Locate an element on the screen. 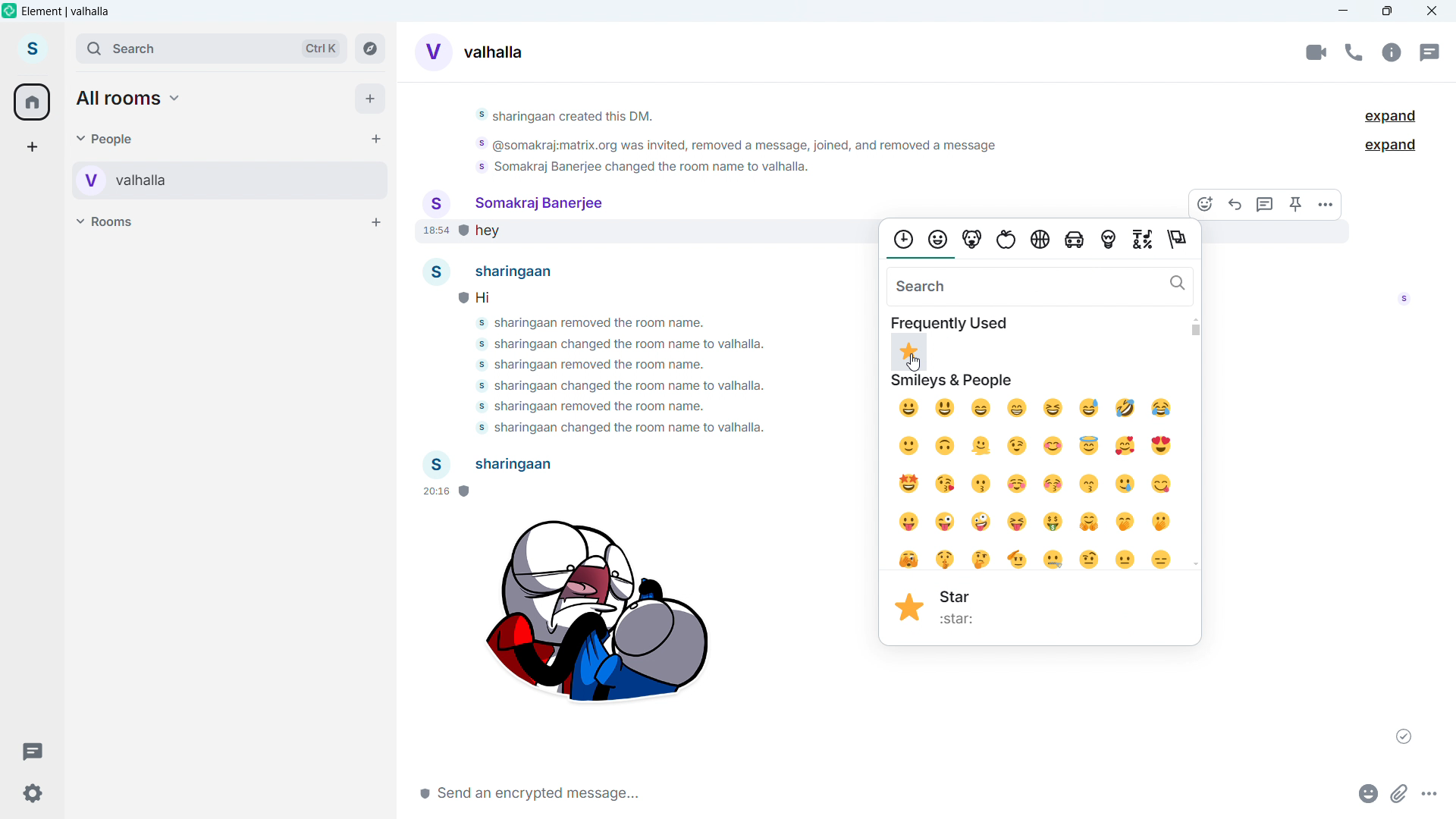 This screenshot has height=819, width=1456. Star Emoji is located at coordinates (911, 607).